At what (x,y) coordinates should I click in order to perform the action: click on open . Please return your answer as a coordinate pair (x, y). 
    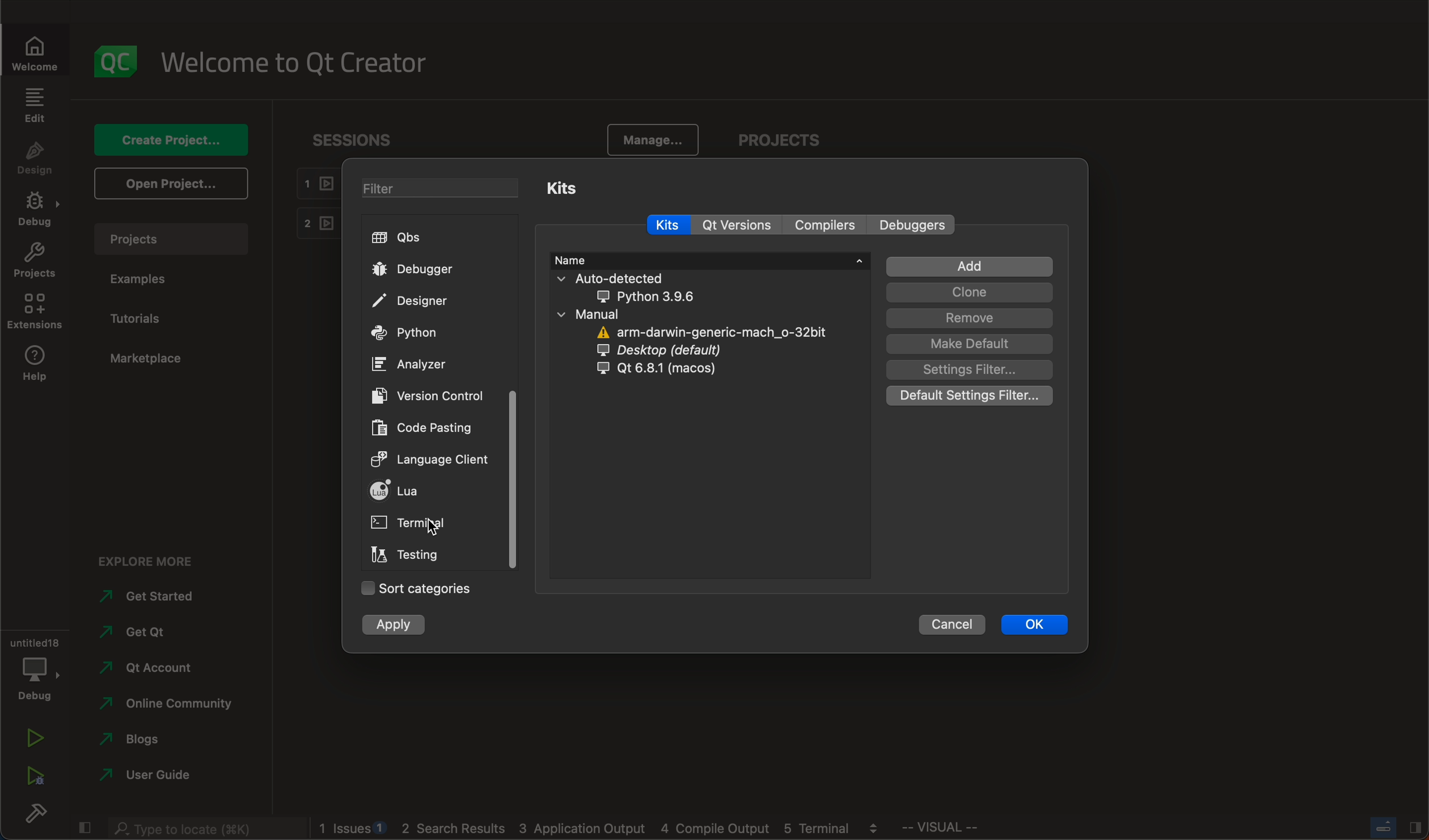
    Looking at the image, I should click on (168, 184).